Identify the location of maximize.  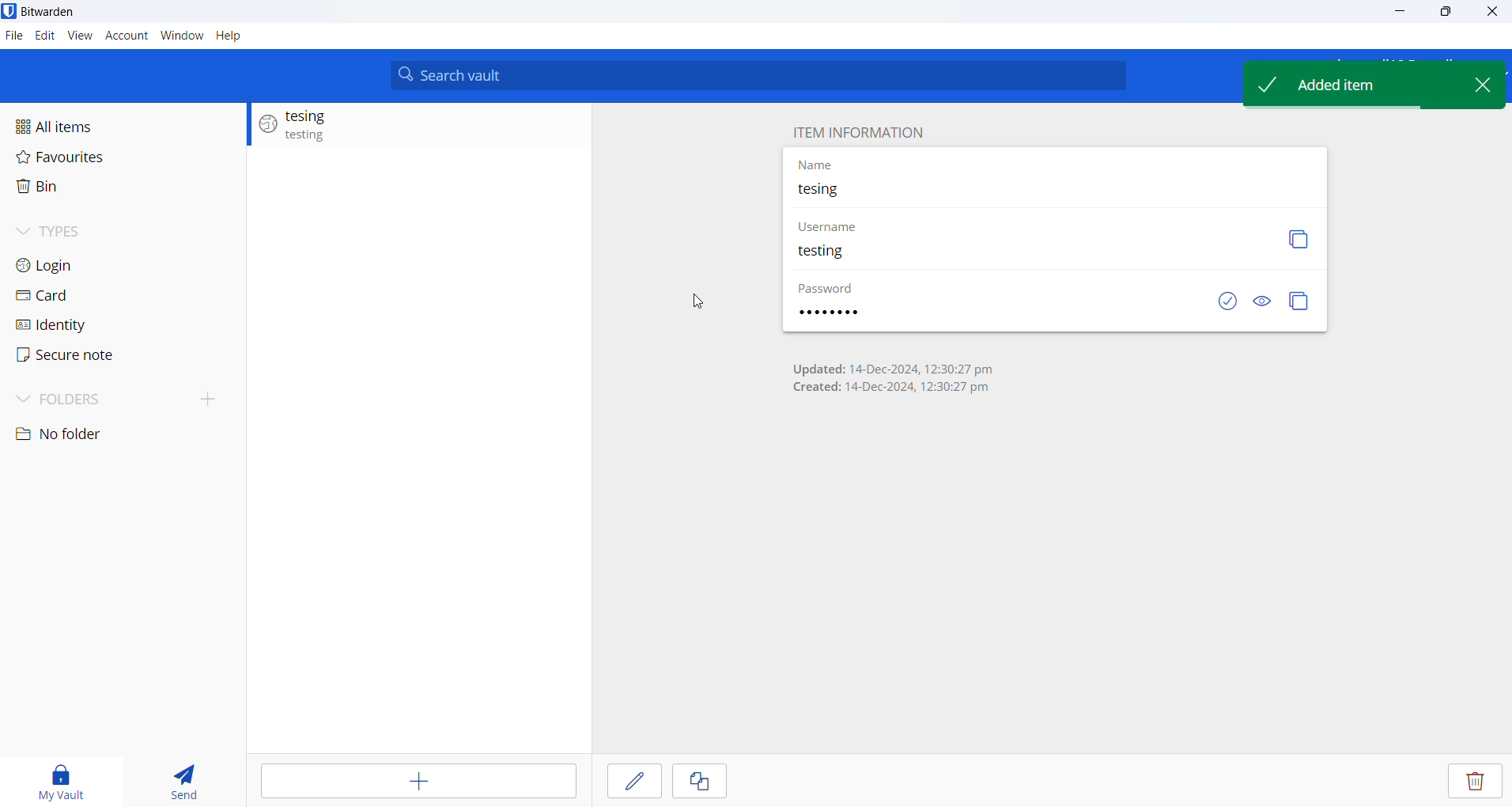
(1447, 13).